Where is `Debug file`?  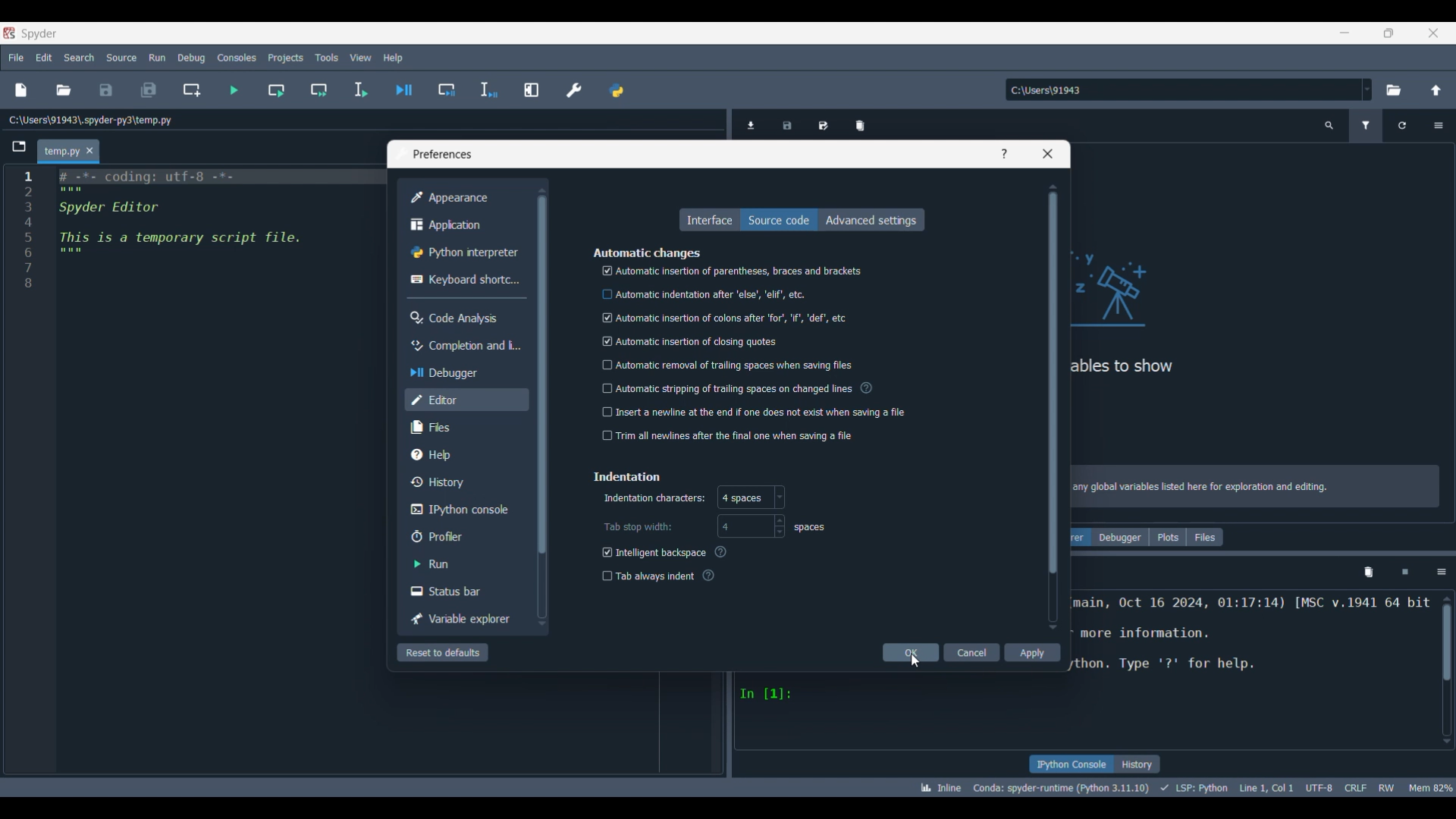
Debug file is located at coordinates (404, 89).